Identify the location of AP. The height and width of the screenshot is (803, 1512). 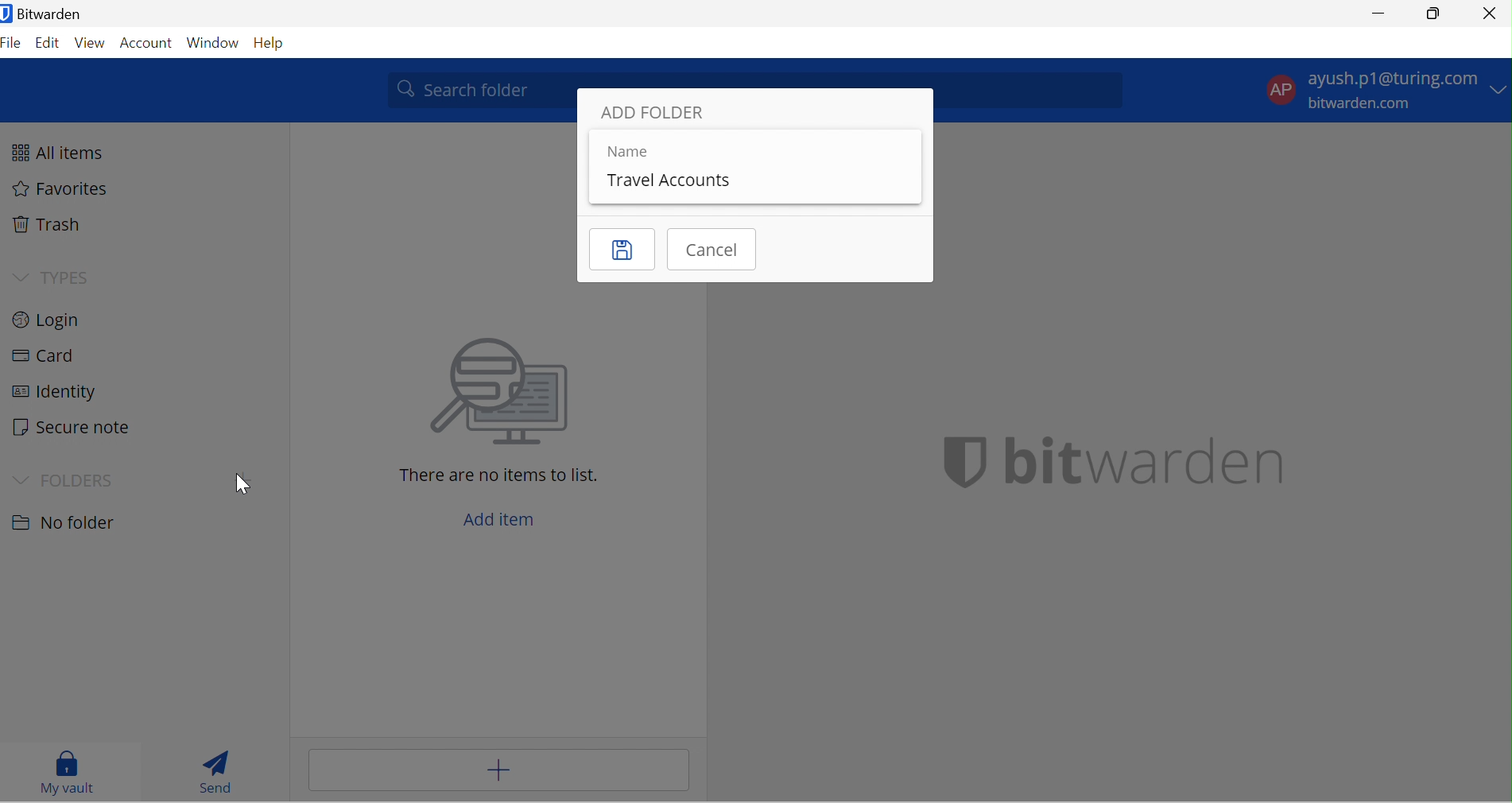
(1276, 87).